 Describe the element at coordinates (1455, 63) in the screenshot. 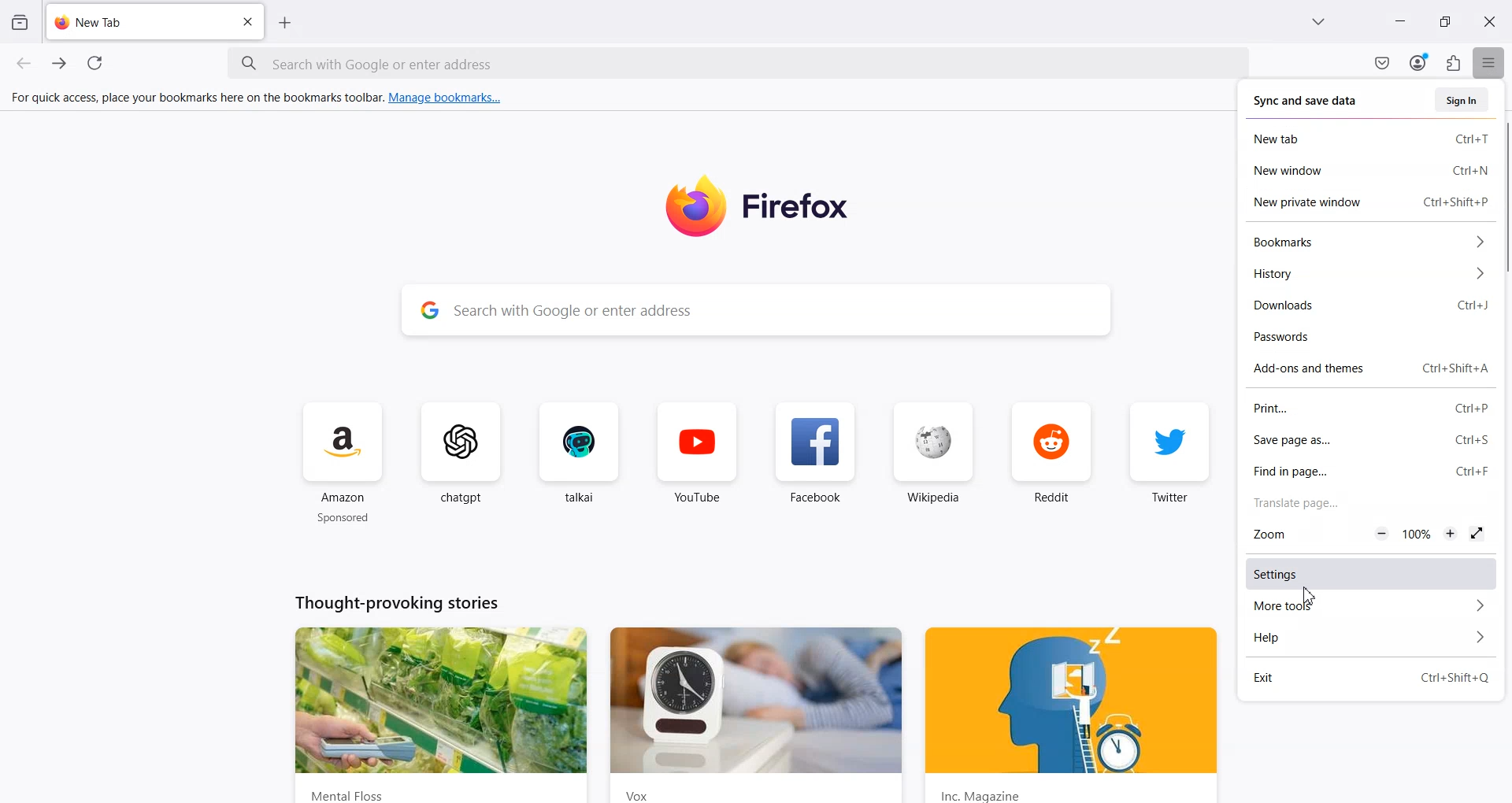

I see `Extensions` at that location.